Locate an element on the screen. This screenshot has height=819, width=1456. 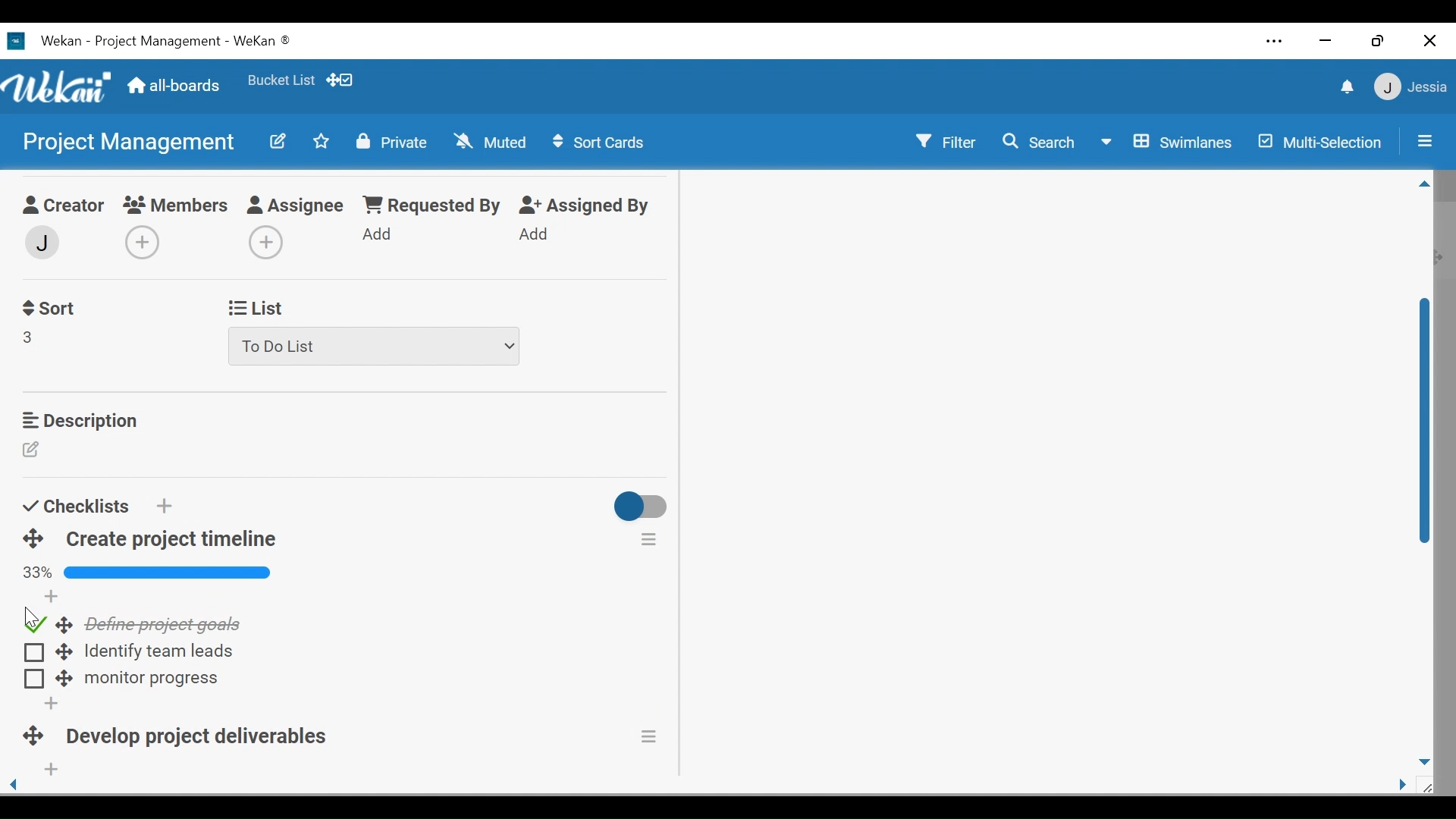
Board View is located at coordinates (1170, 143).